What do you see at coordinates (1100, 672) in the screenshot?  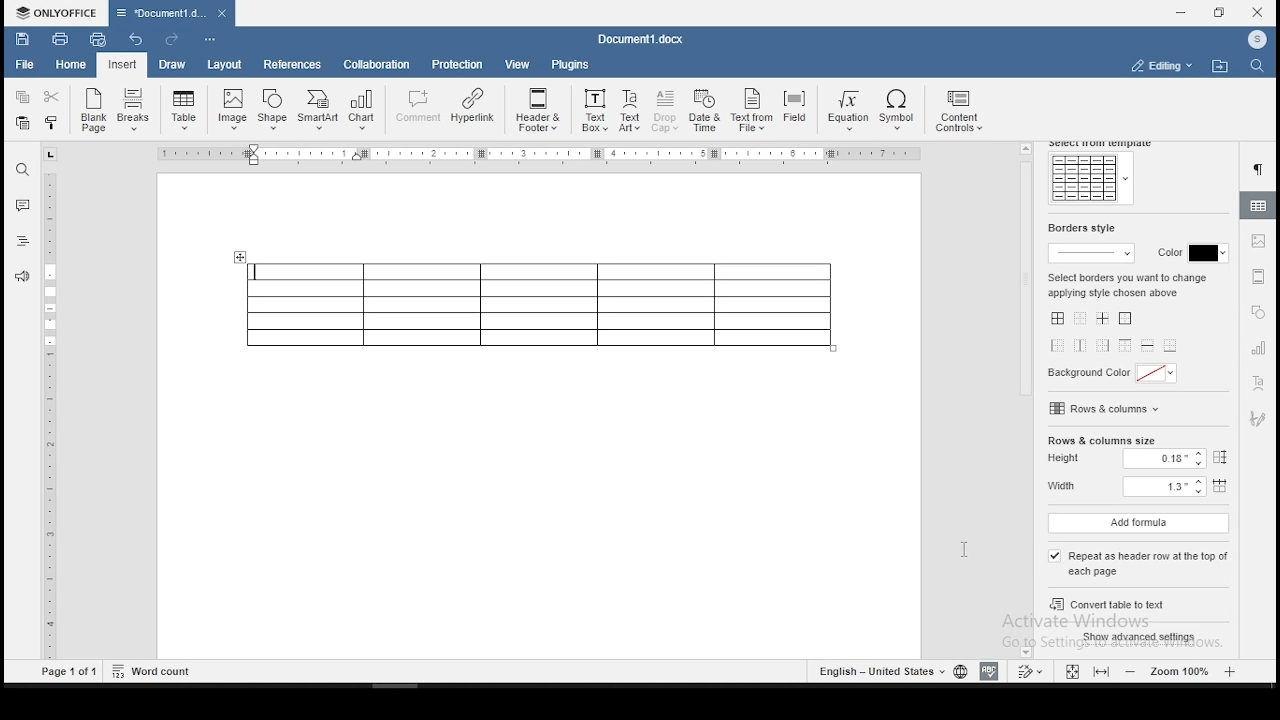 I see `fit to screen` at bounding box center [1100, 672].